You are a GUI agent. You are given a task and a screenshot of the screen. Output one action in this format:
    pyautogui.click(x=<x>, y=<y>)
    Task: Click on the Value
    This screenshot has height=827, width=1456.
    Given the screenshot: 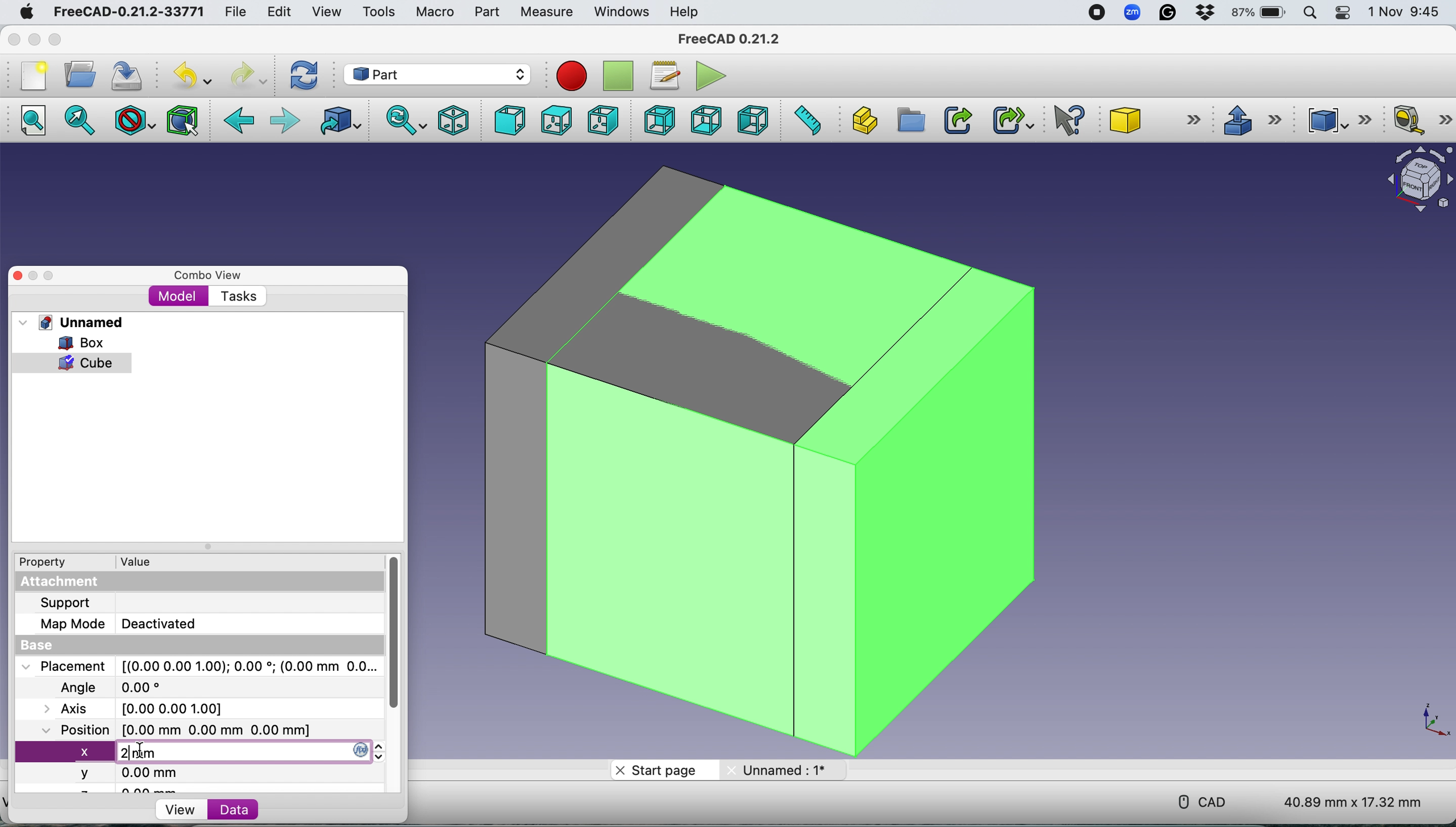 What is the action you would take?
    pyautogui.click(x=140, y=561)
    